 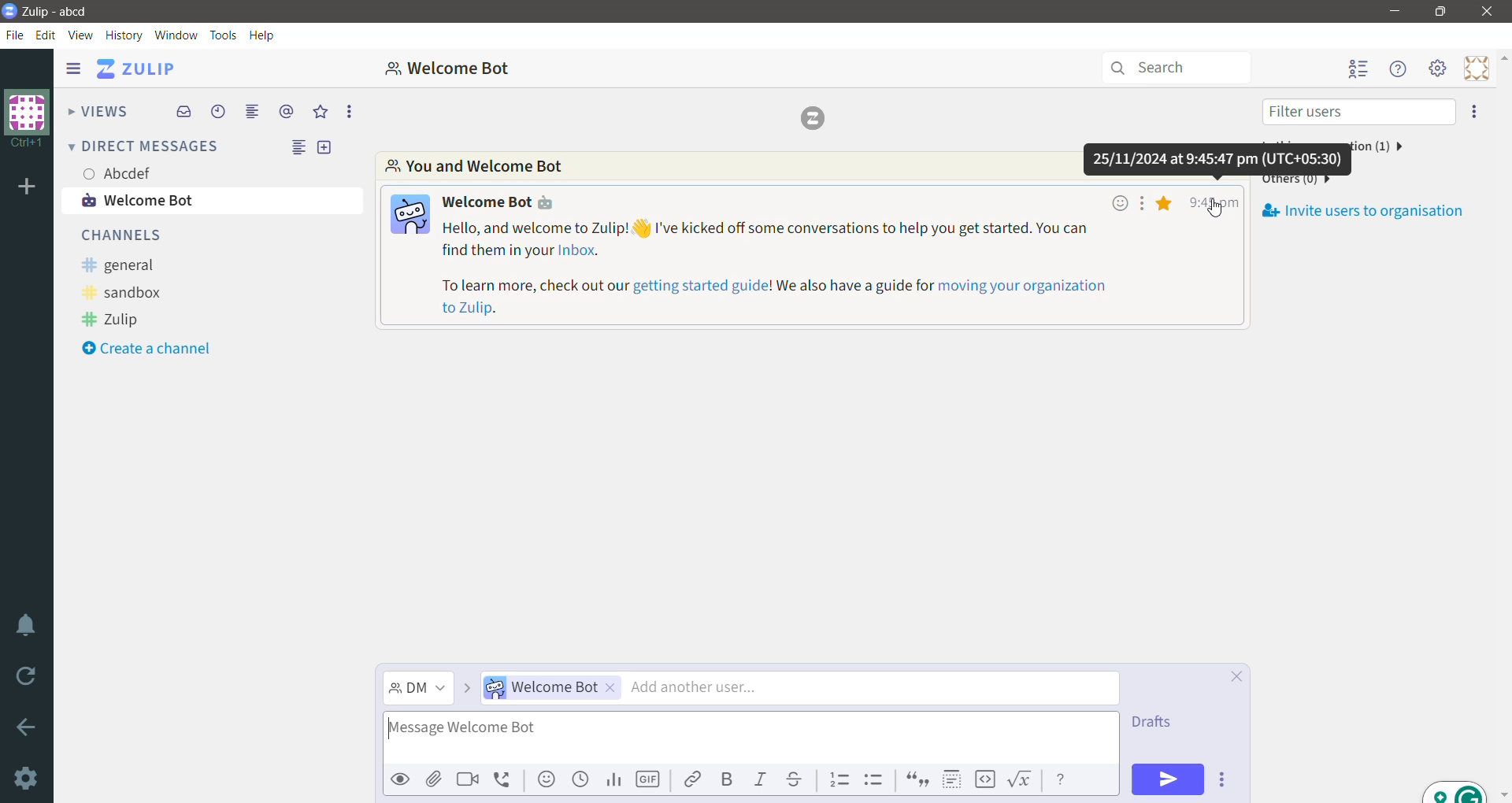 I want to click on Message Time, so click(x=1212, y=200).